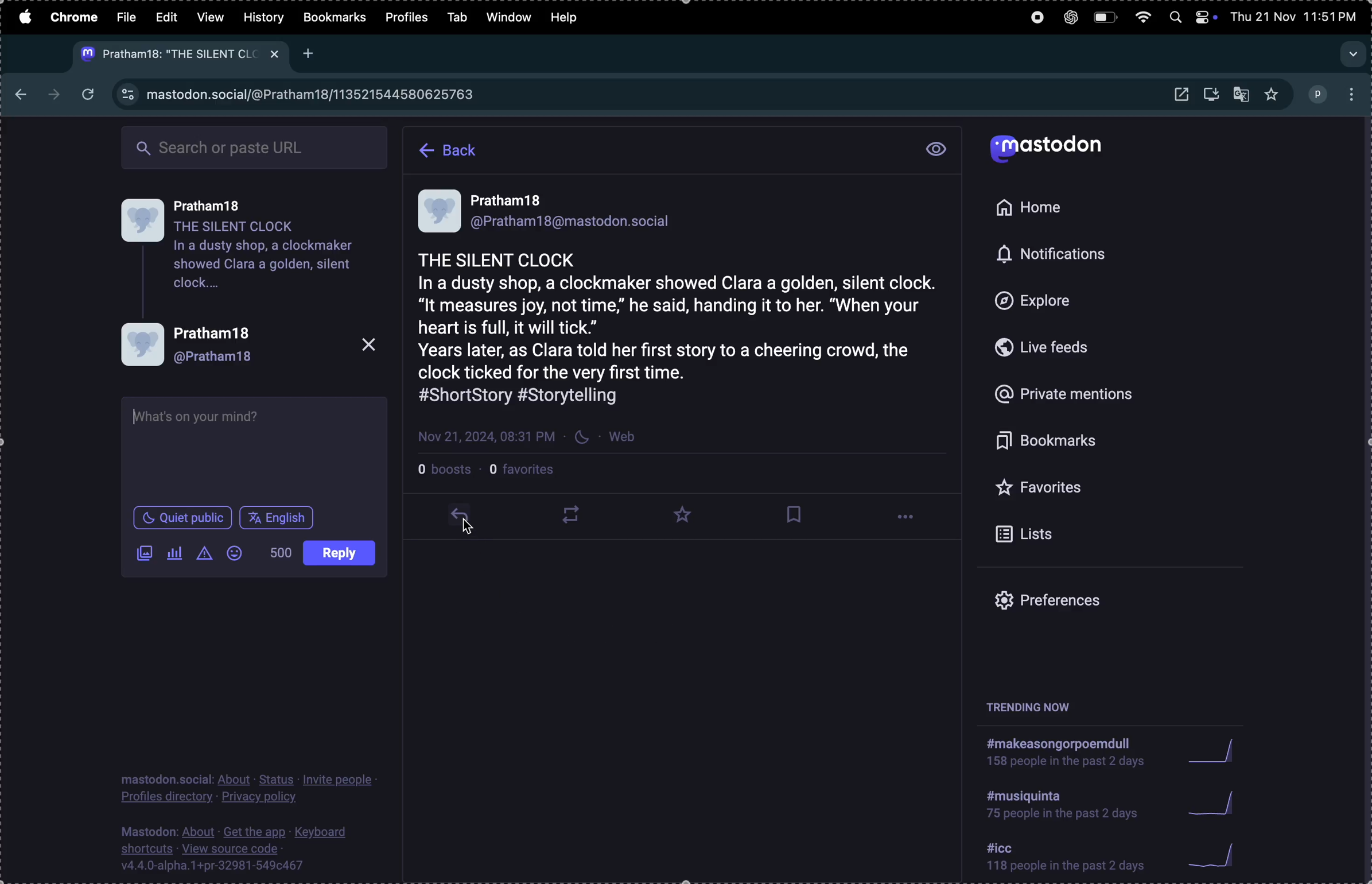 Image resolution: width=1372 pixels, height=884 pixels. What do you see at coordinates (1083, 442) in the screenshot?
I see `bookmark` at bounding box center [1083, 442].